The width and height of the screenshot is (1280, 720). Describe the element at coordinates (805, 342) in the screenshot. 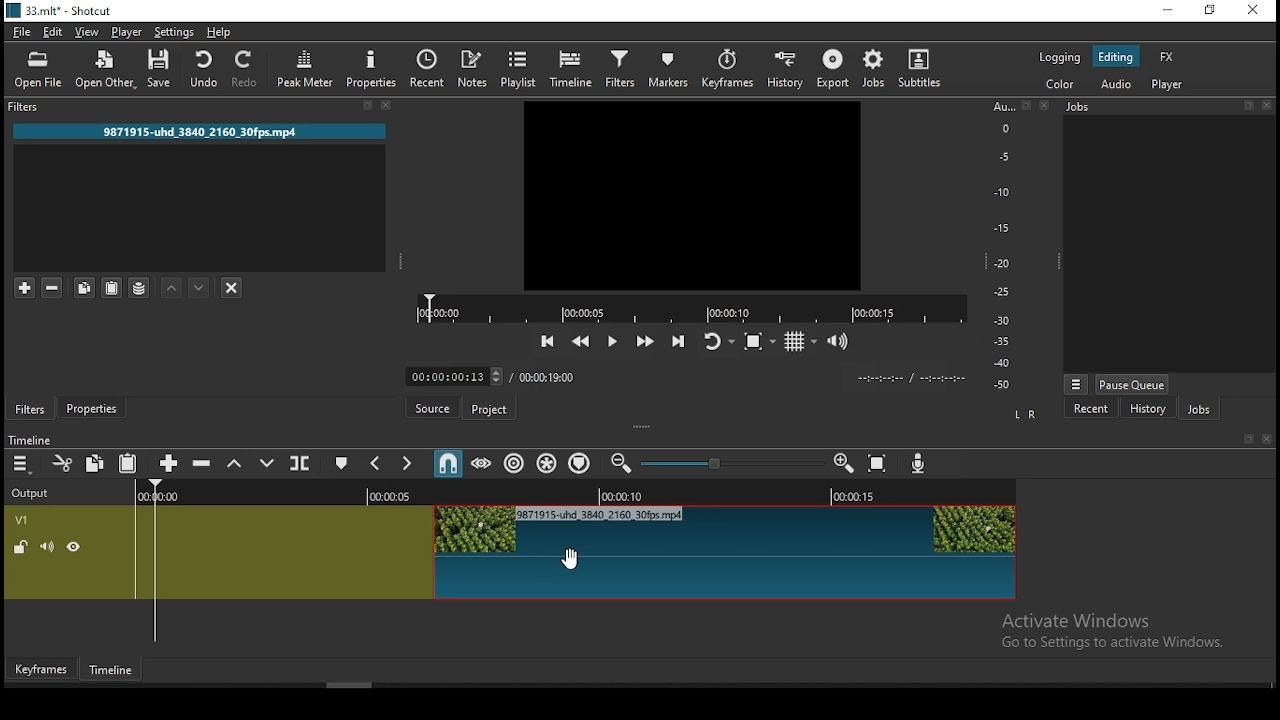

I see `toggle grid display on player` at that location.